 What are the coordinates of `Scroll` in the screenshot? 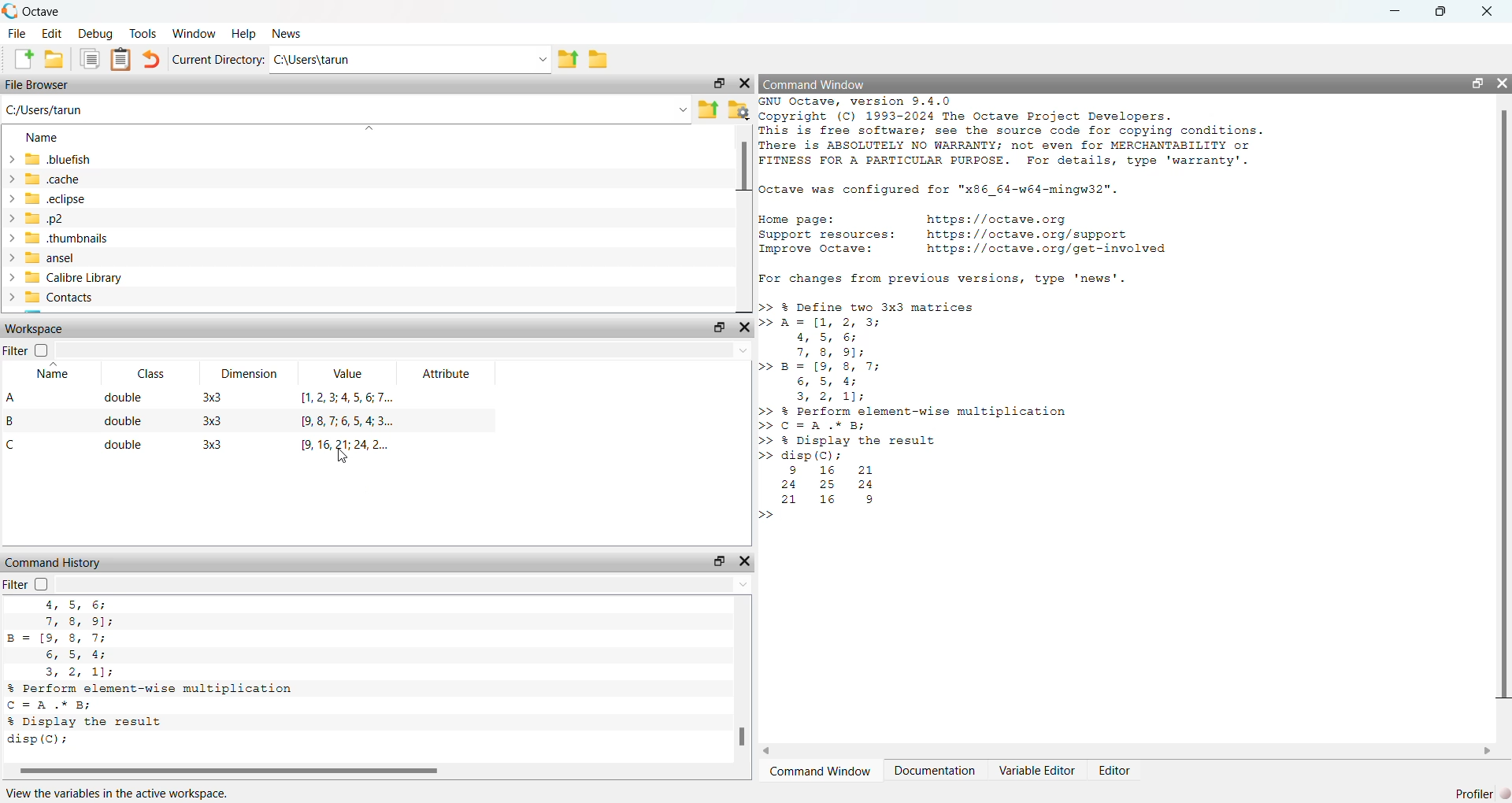 It's located at (1504, 426).